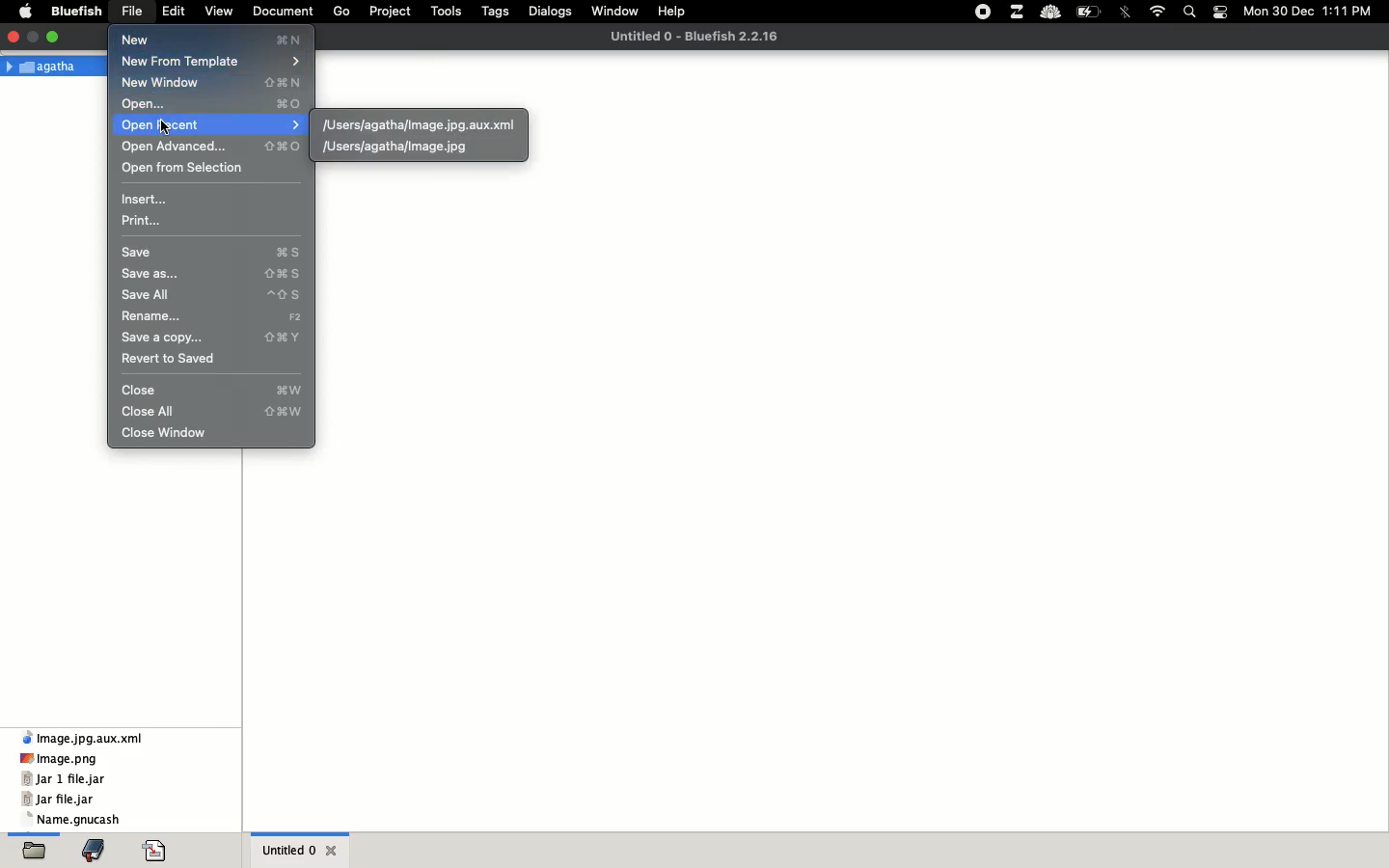  What do you see at coordinates (283, 9) in the screenshot?
I see `document` at bounding box center [283, 9].